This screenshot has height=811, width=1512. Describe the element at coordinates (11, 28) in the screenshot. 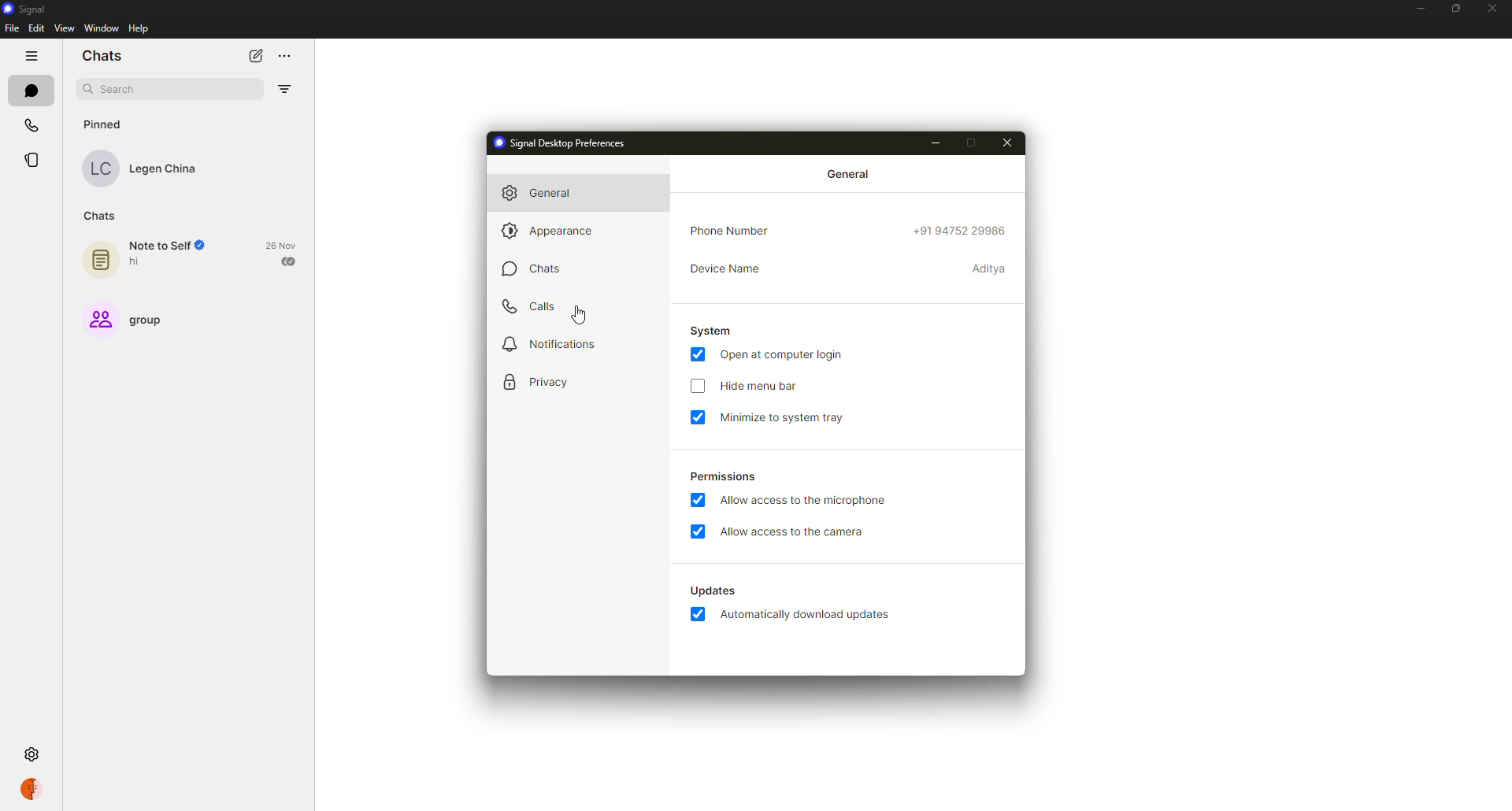

I see `file` at that location.